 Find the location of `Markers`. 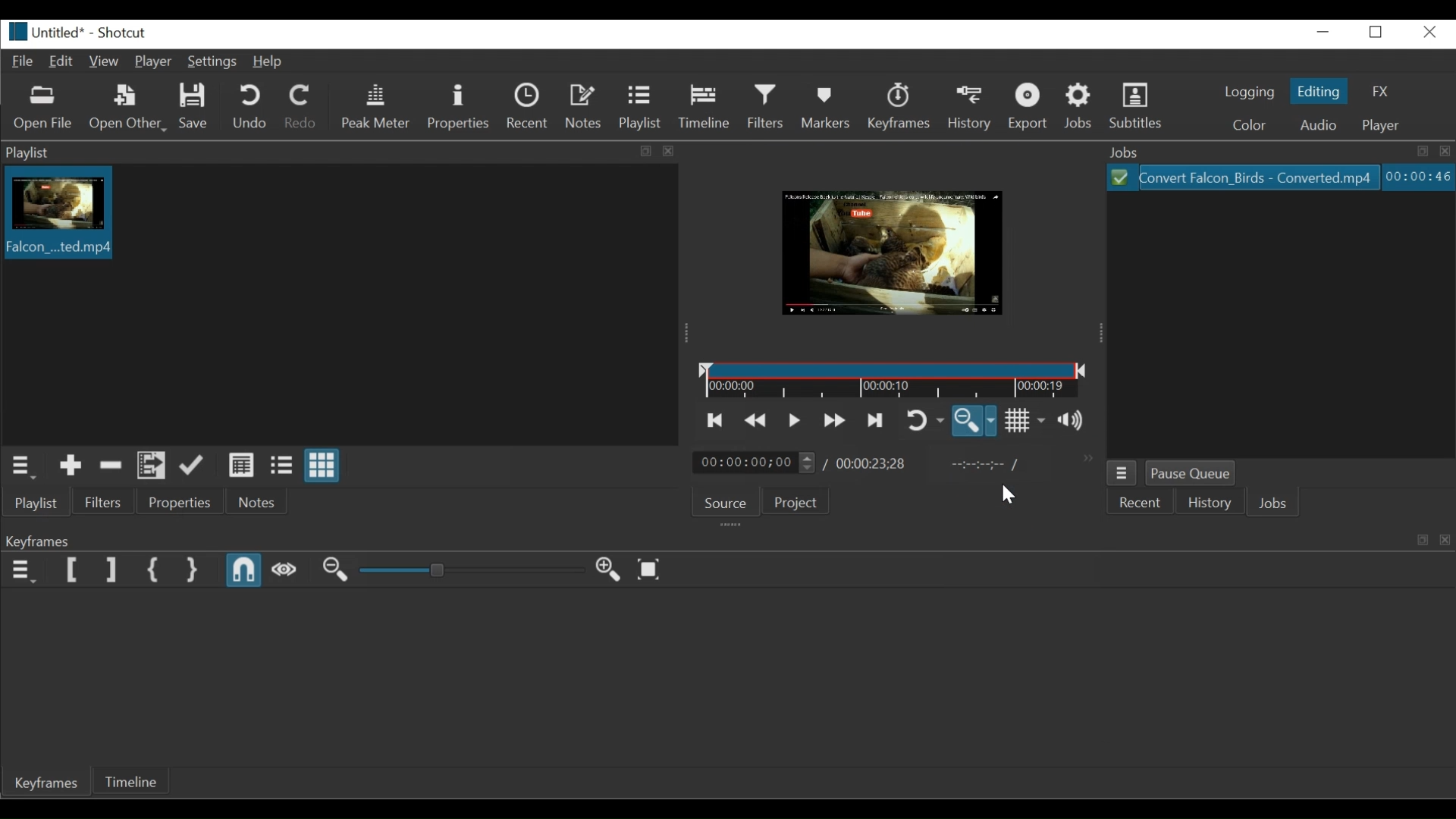

Markers is located at coordinates (827, 106).